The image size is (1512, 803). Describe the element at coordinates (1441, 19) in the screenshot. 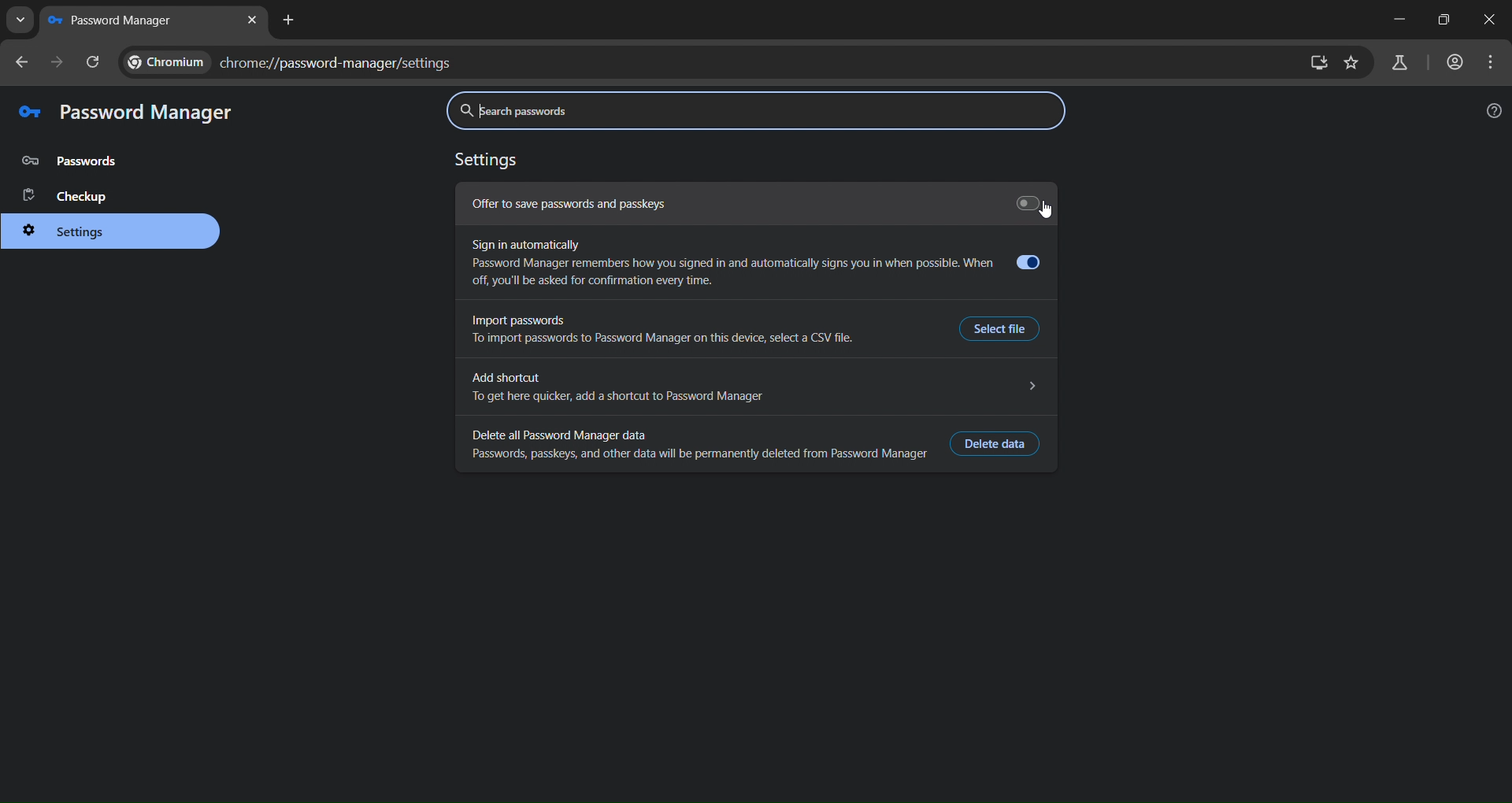

I see `maximize/restore` at that location.